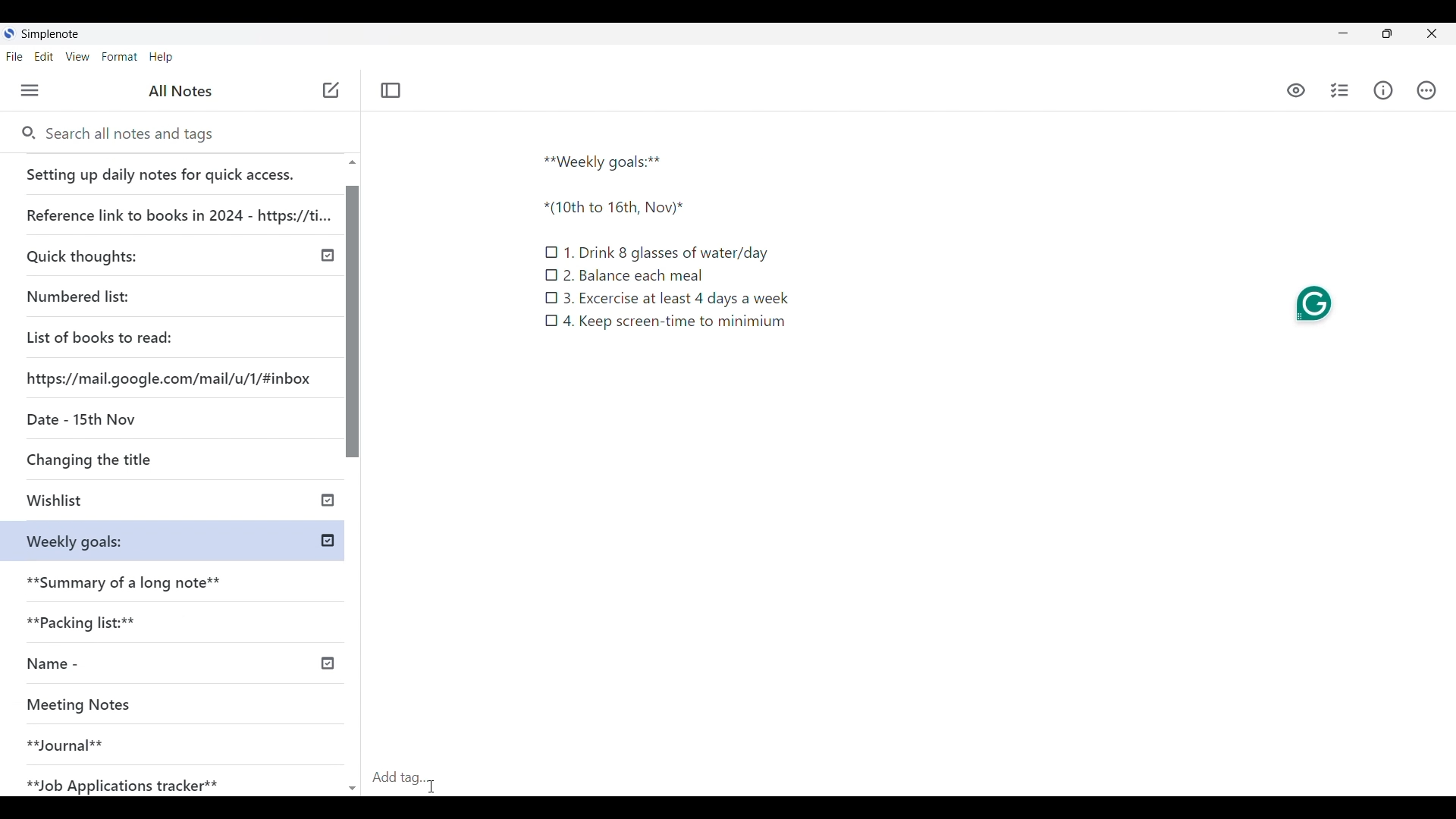  I want to click on Grammarly extension, so click(1313, 300).